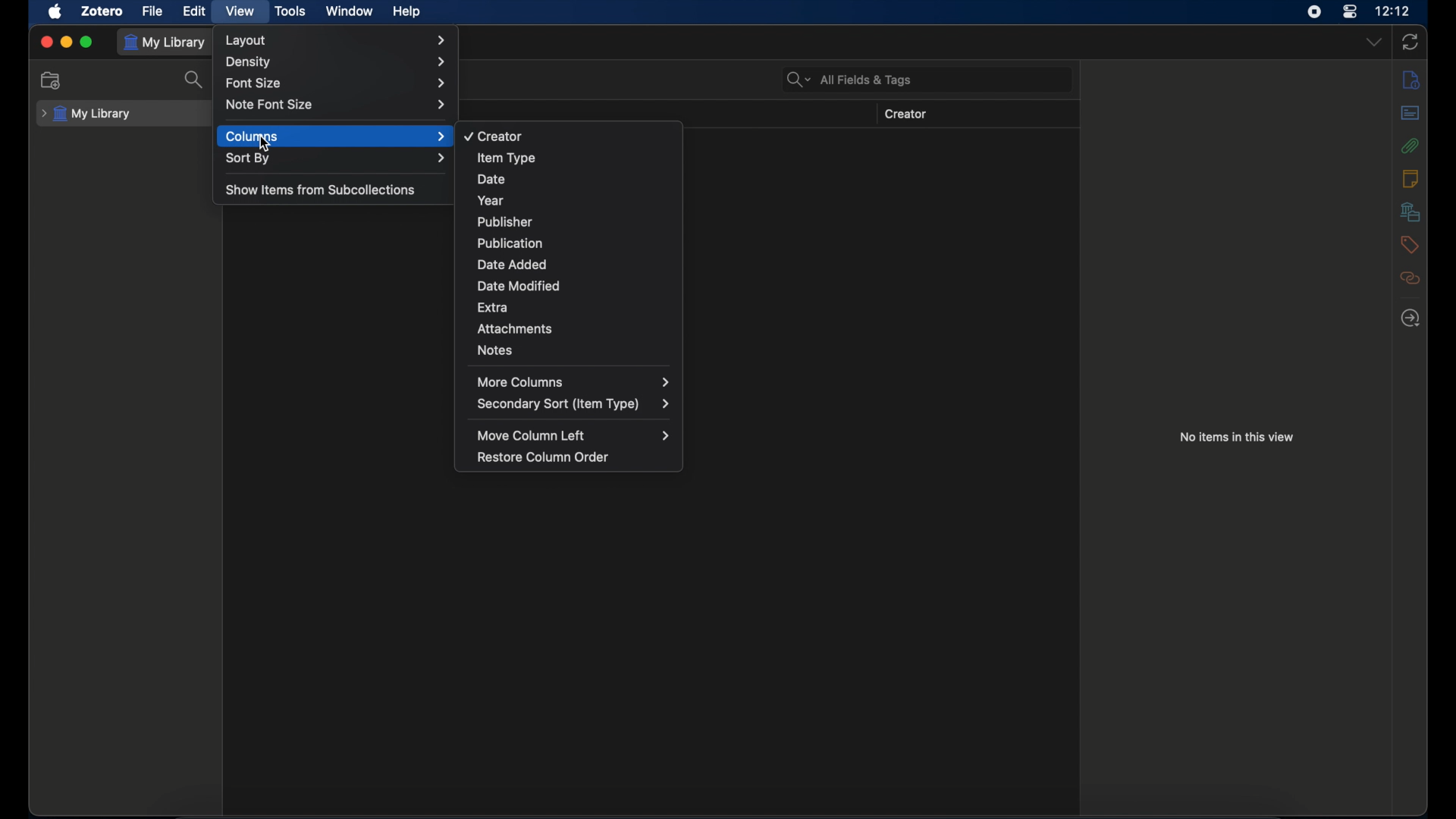 Image resolution: width=1456 pixels, height=819 pixels. I want to click on move column left, so click(574, 435).